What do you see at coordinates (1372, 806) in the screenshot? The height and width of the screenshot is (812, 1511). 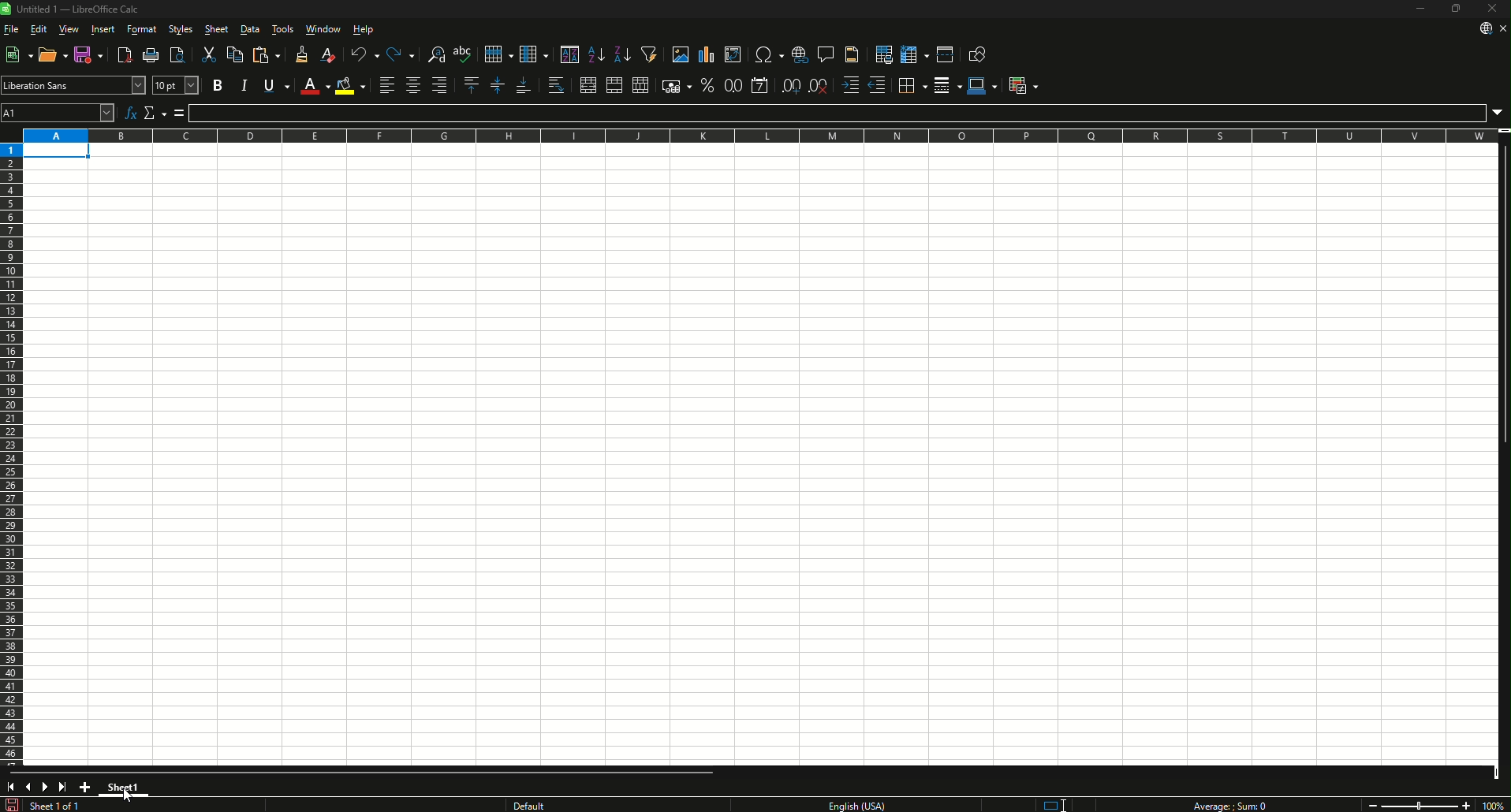 I see `Zoom out` at bounding box center [1372, 806].